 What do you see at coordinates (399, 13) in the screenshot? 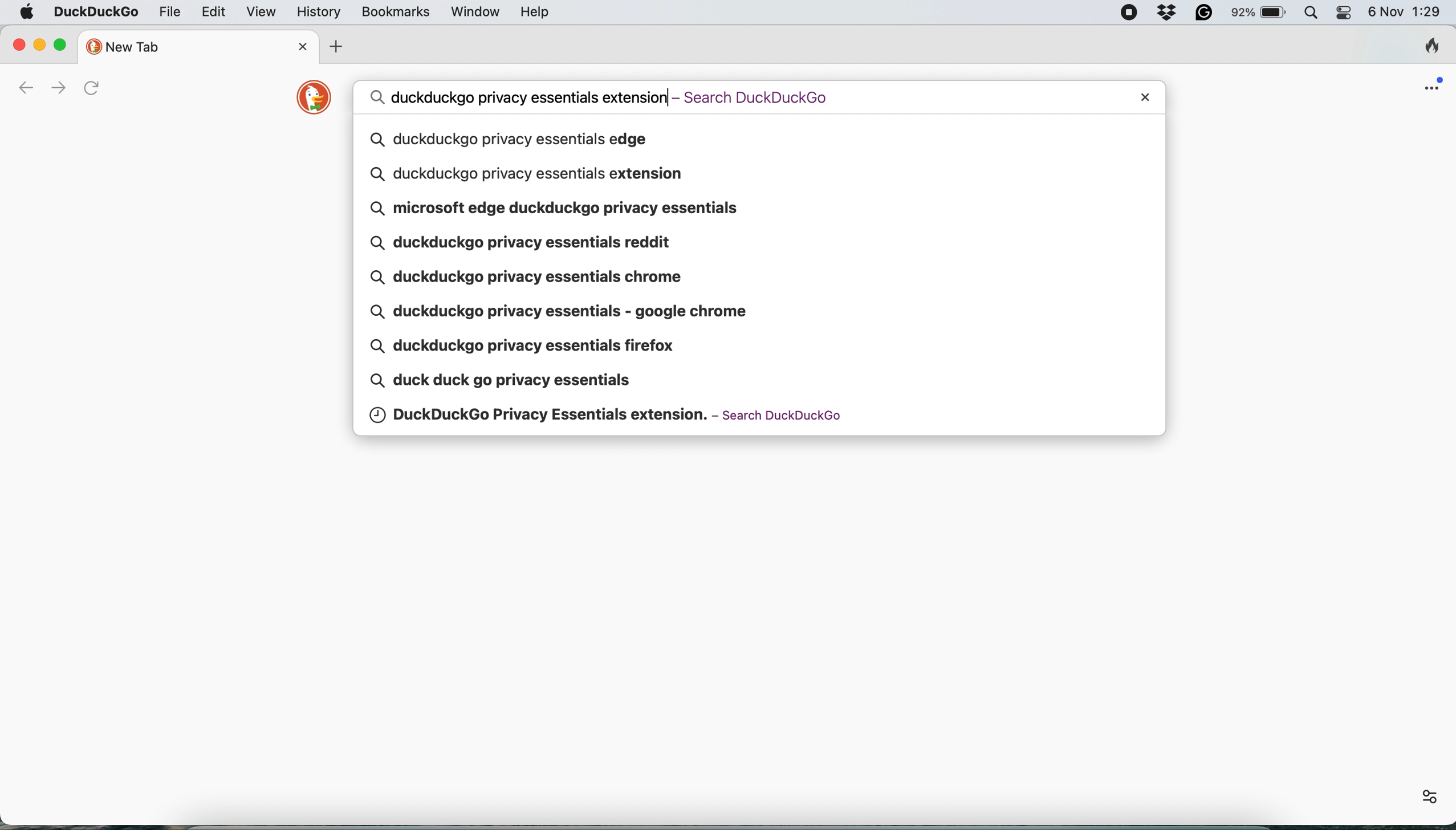
I see `bookmarks` at bounding box center [399, 13].